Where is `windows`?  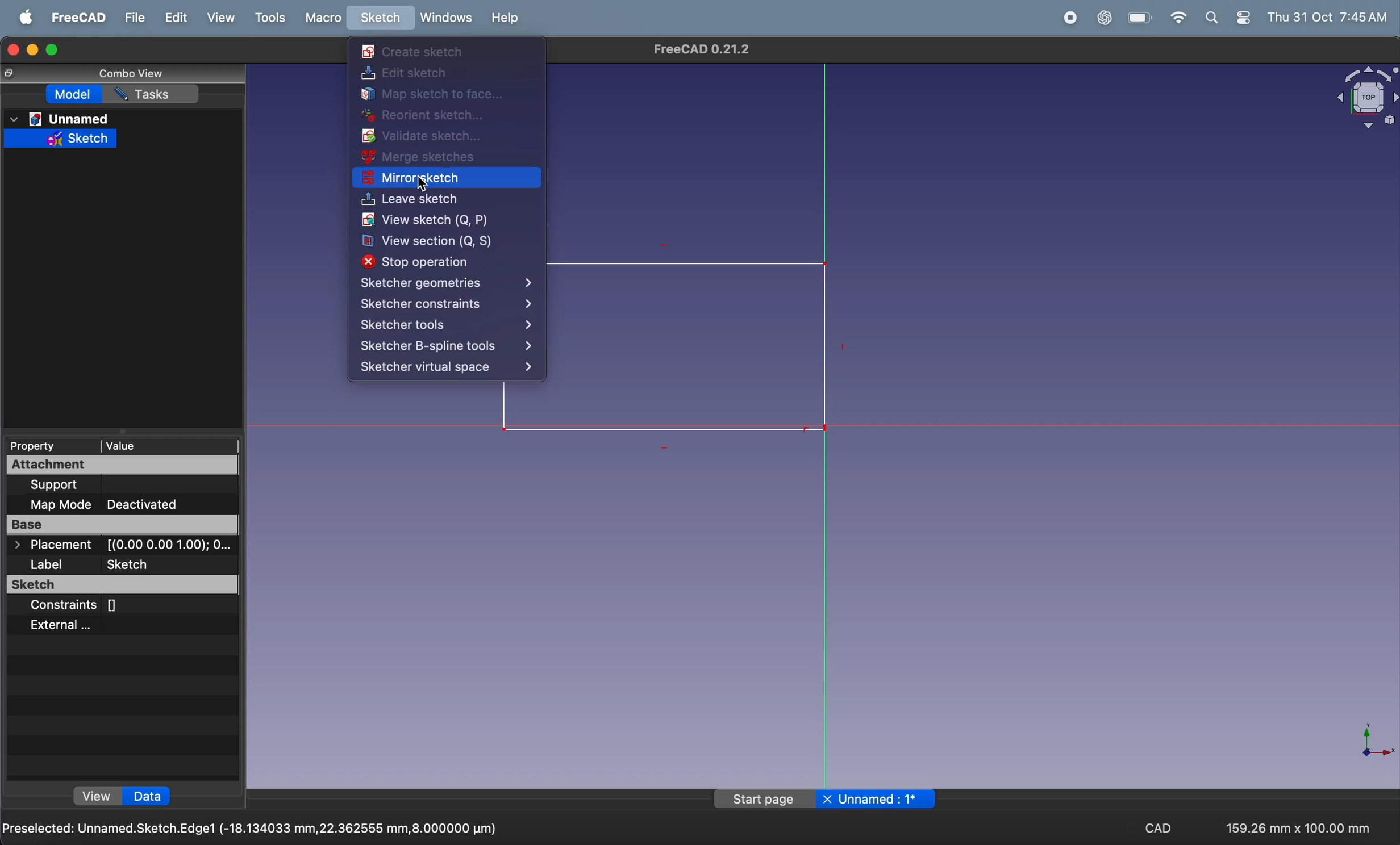 windows is located at coordinates (444, 18).